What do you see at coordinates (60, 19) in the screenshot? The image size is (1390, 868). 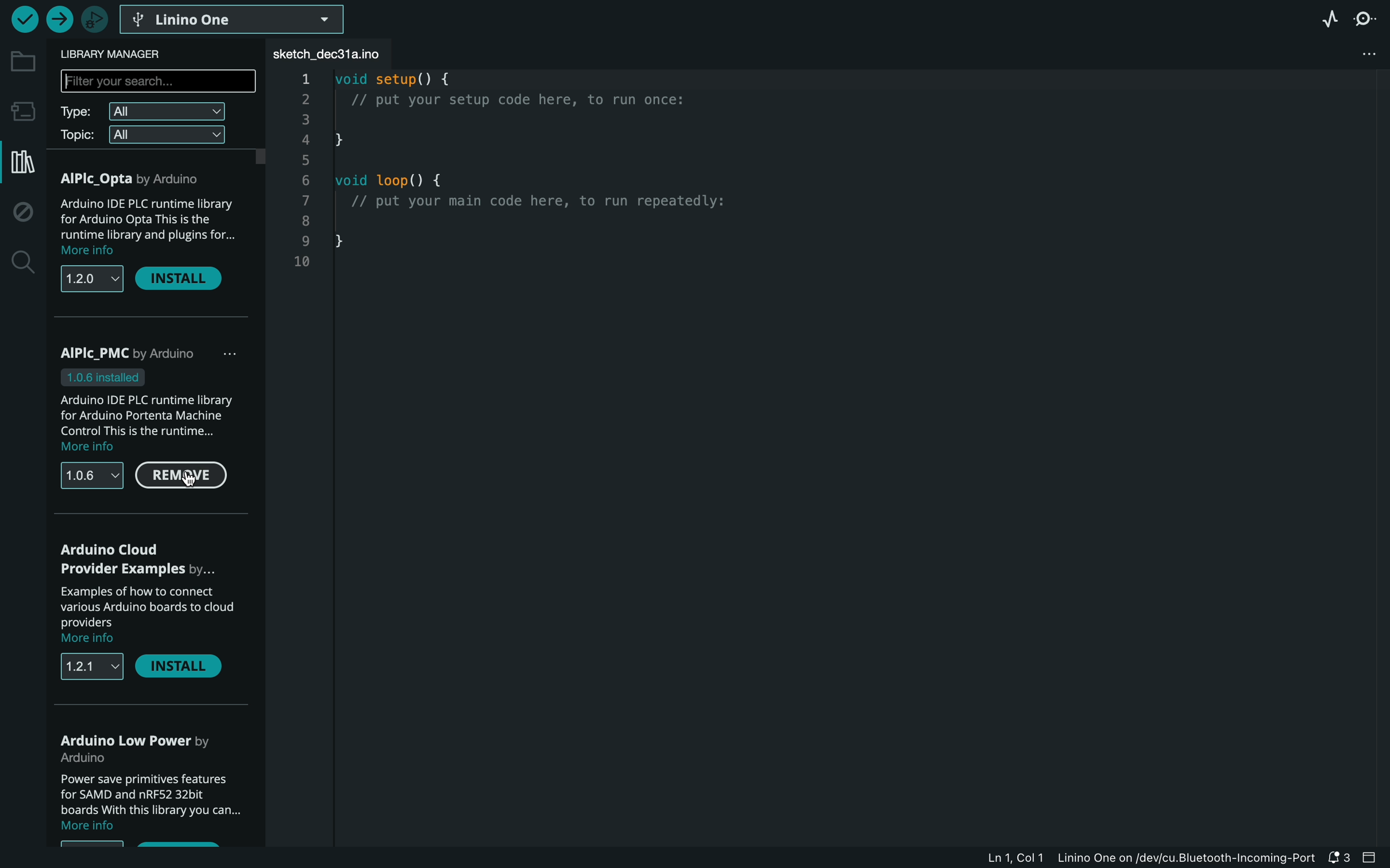 I see `upload` at bounding box center [60, 19].